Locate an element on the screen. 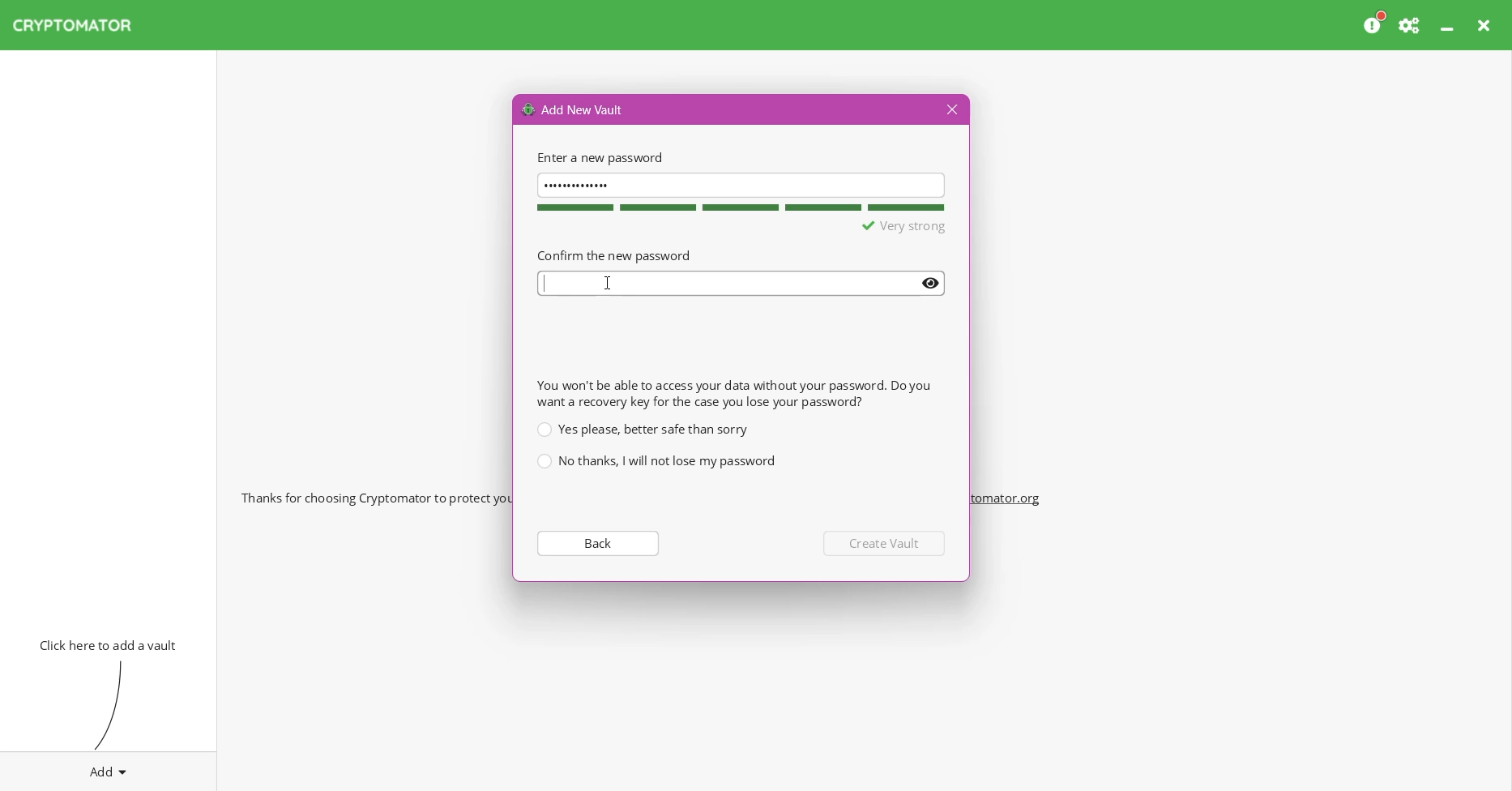  Insertion cursor is located at coordinates (609, 283).